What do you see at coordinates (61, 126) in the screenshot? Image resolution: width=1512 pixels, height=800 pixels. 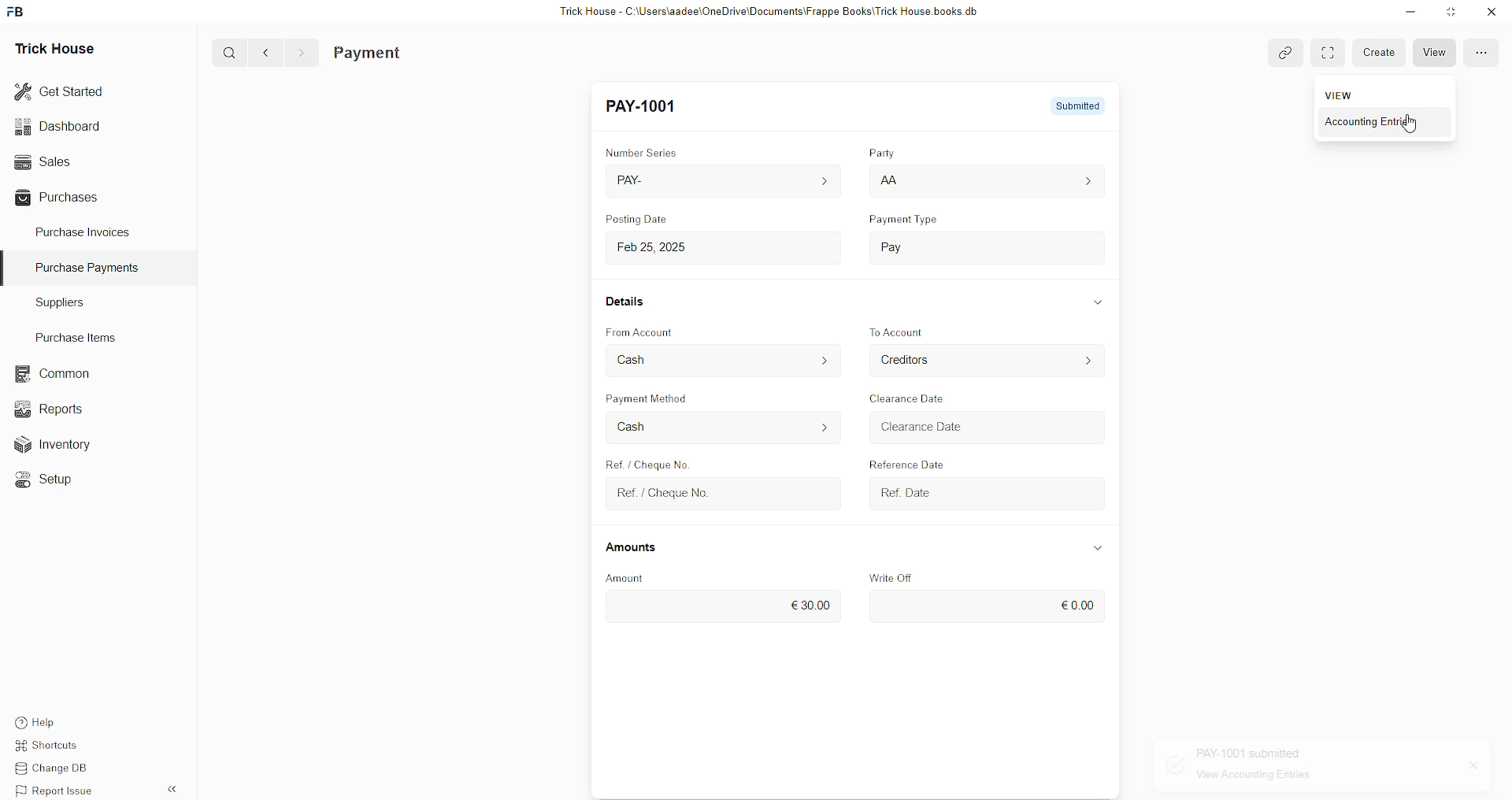 I see `Dashboard` at bounding box center [61, 126].